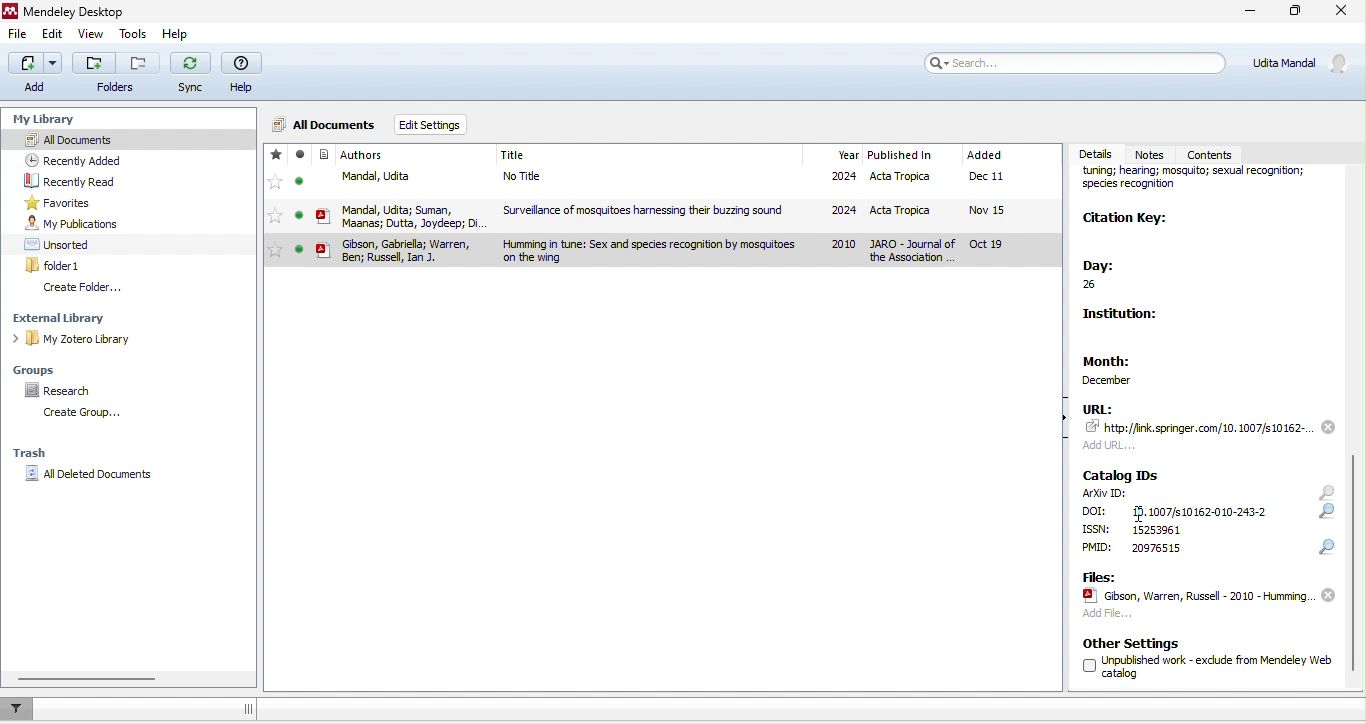  What do you see at coordinates (1328, 596) in the screenshot?
I see `remove` at bounding box center [1328, 596].